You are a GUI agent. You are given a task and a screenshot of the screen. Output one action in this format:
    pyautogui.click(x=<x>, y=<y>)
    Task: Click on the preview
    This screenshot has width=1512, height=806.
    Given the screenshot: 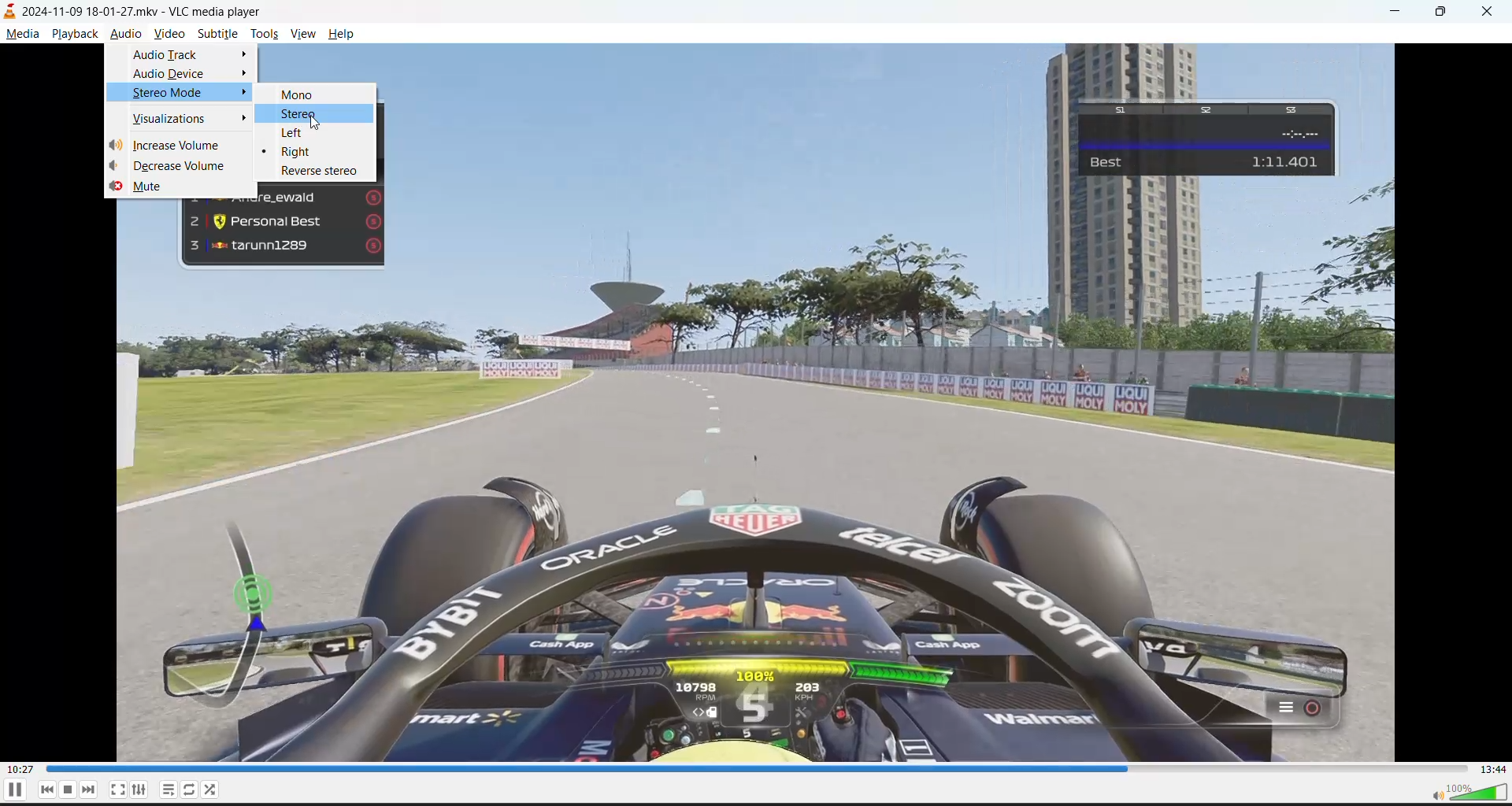 What is the action you would take?
    pyautogui.click(x=830, y=70)
    